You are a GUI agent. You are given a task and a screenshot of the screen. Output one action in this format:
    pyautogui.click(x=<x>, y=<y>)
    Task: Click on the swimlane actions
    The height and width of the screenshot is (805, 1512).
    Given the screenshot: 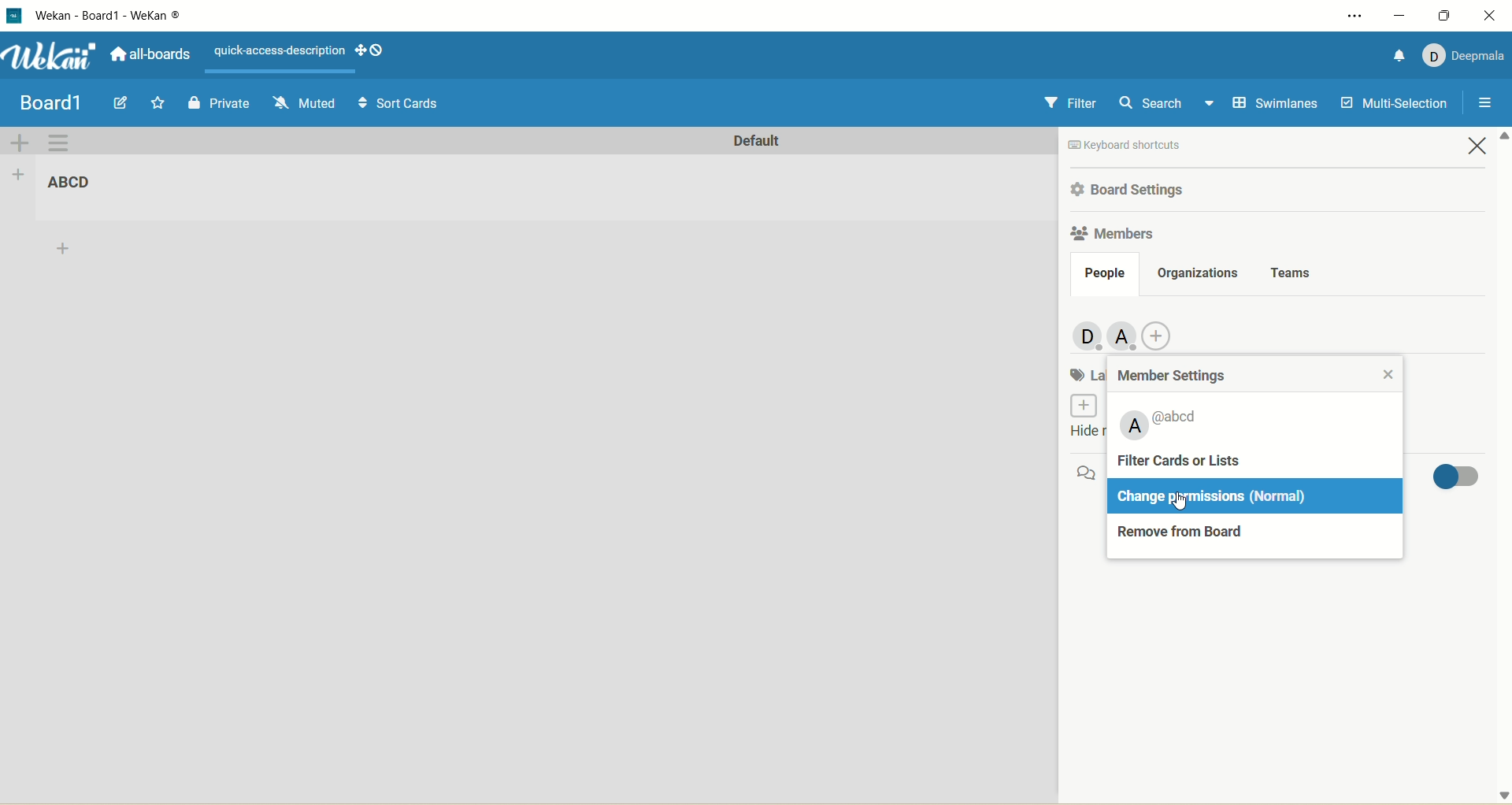 What is the action you would take?
    pyautogui.click(x=59, y=144)
    